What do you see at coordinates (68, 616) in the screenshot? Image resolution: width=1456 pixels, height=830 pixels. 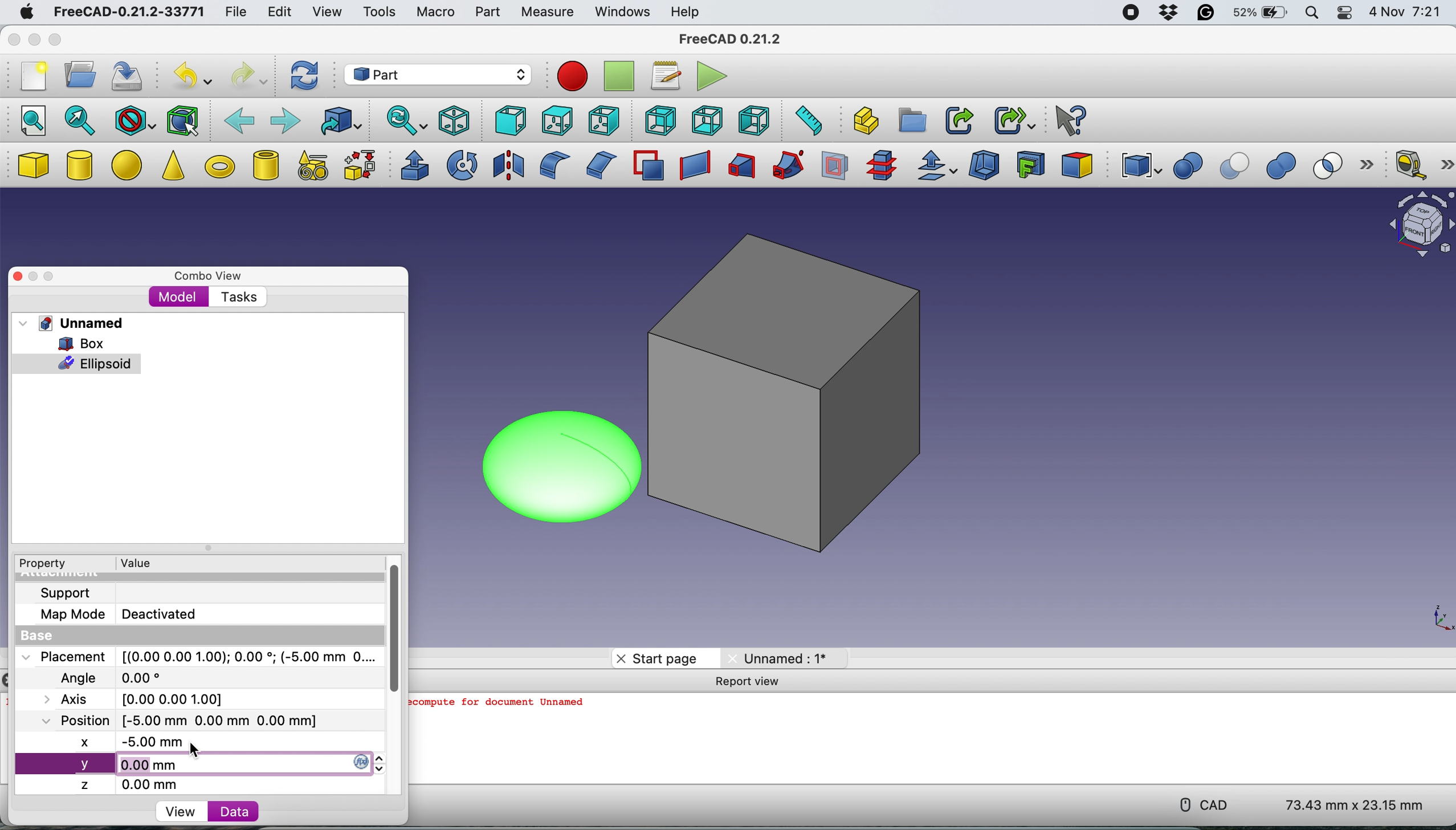 I see `map mode` at bounding box center [68, 616].